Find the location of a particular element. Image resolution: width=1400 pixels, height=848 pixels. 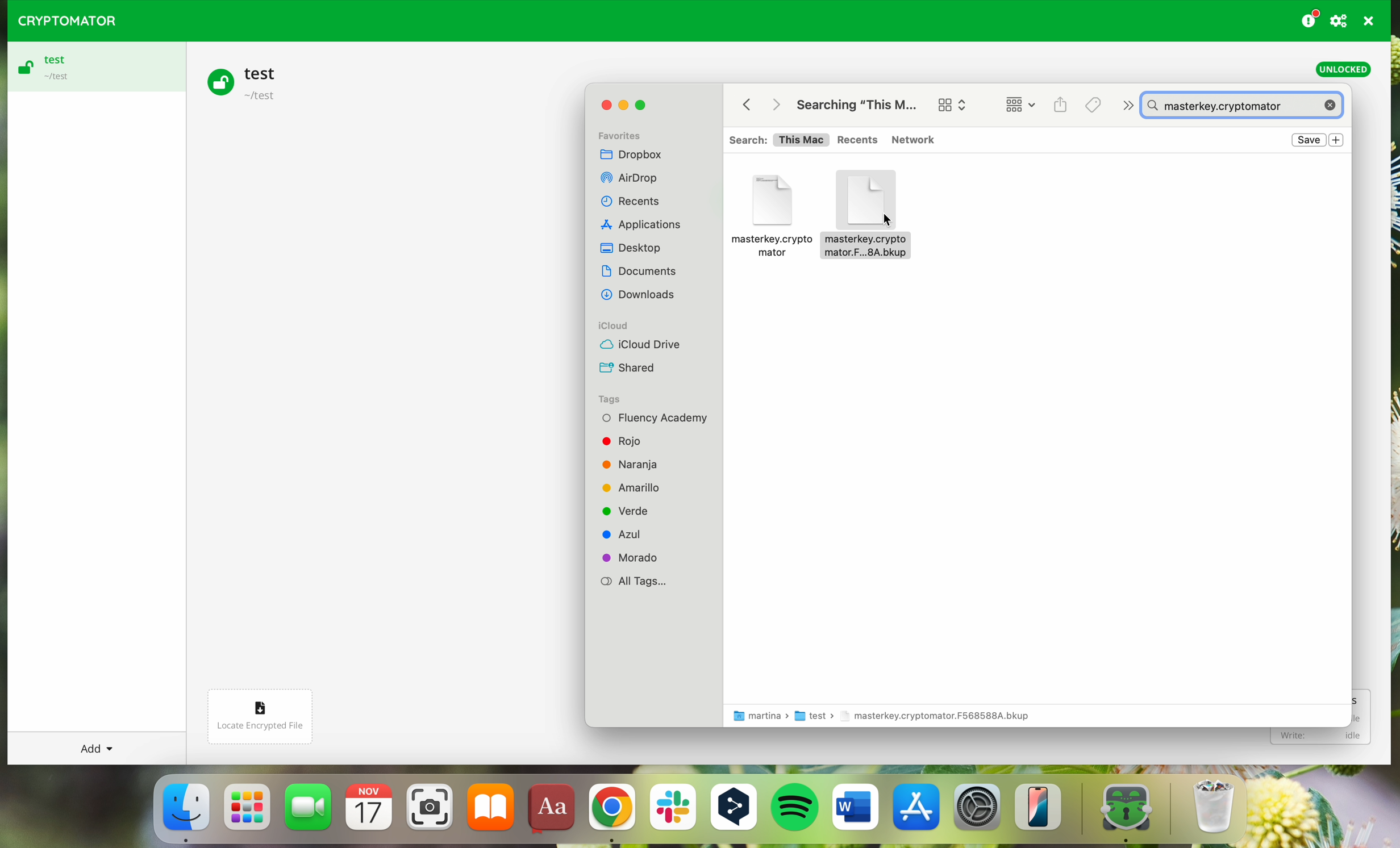

Naranja is located at coordinates (641, 463).